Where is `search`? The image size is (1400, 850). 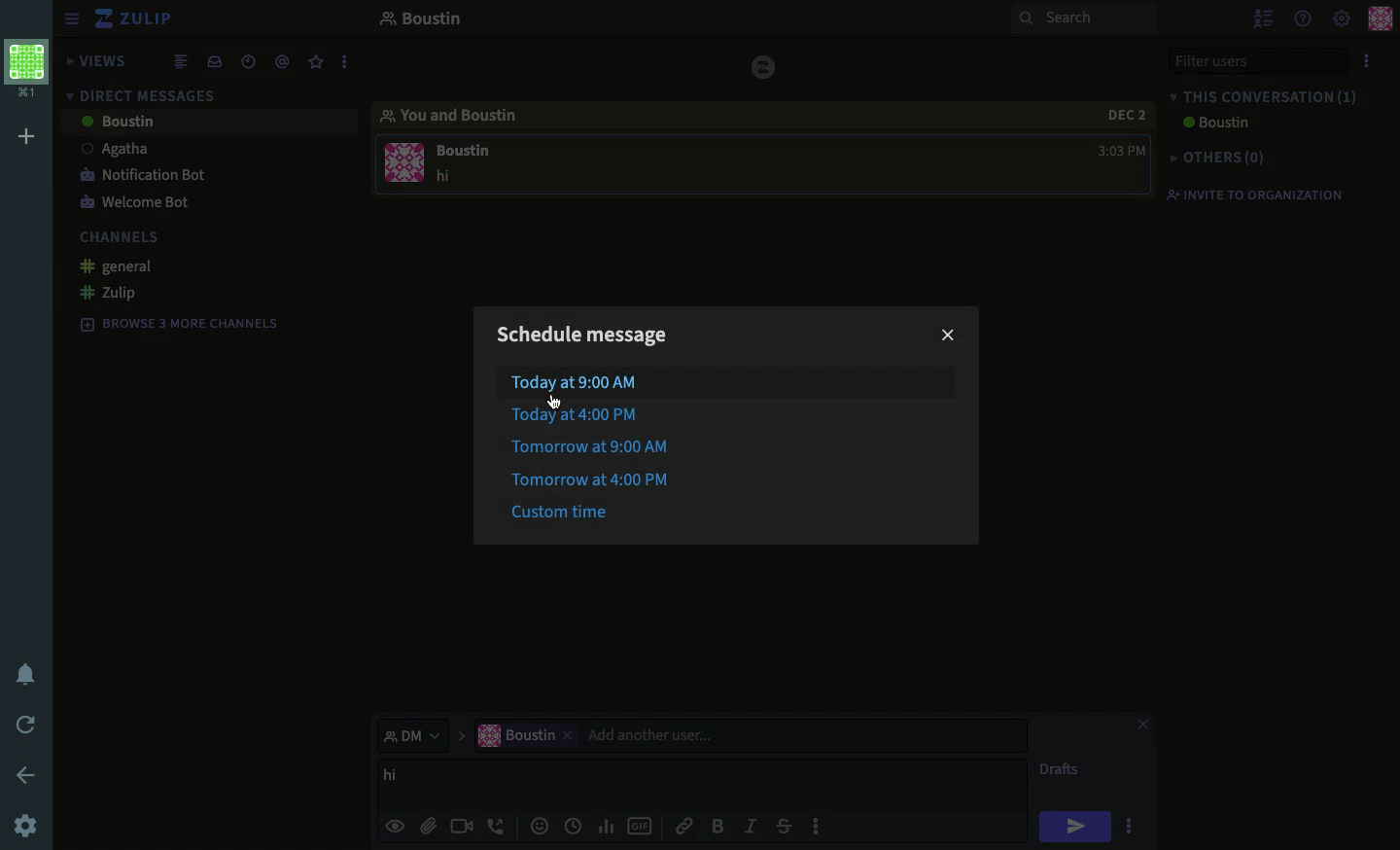
search is located at coordinates (1080, 19).